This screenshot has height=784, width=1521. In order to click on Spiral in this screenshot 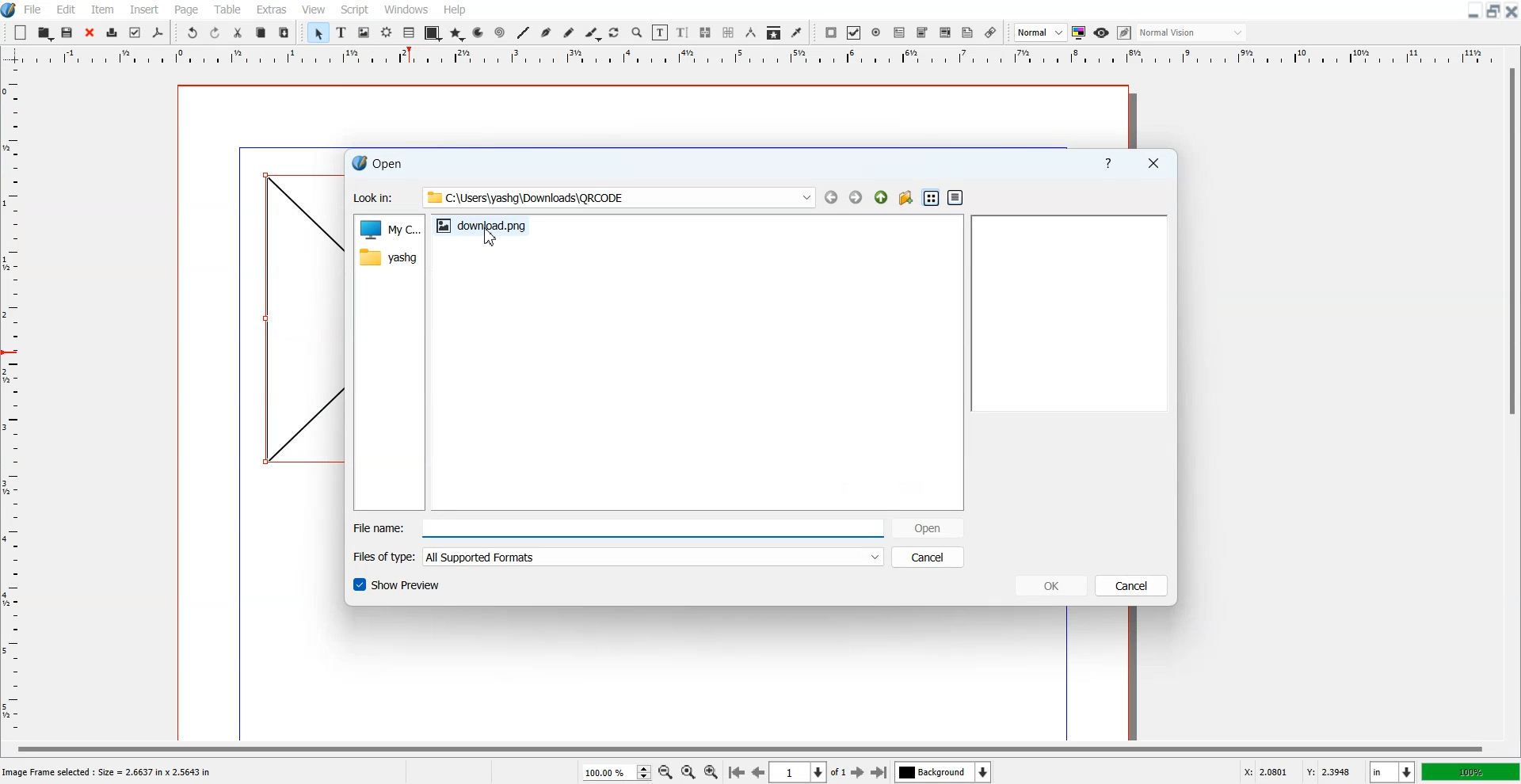, I will do `click(499, 32)`.